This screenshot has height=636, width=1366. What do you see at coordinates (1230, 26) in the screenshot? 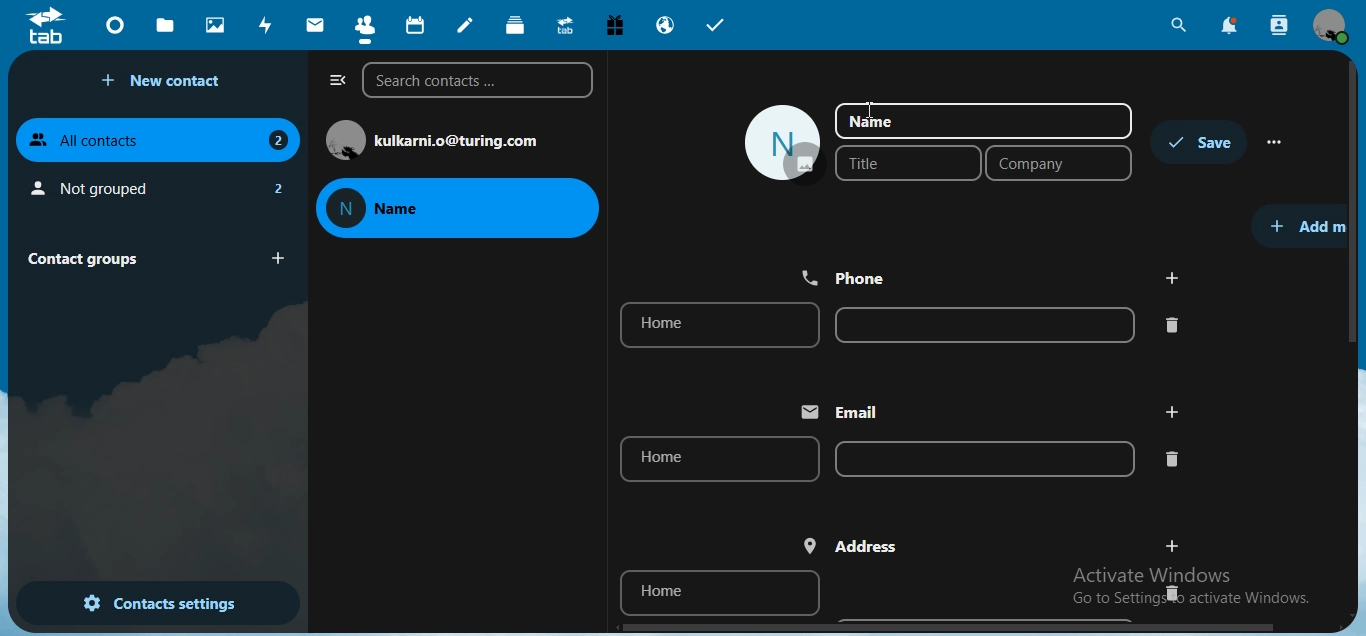
I see `notifications` at bounding box center [1230, 26].